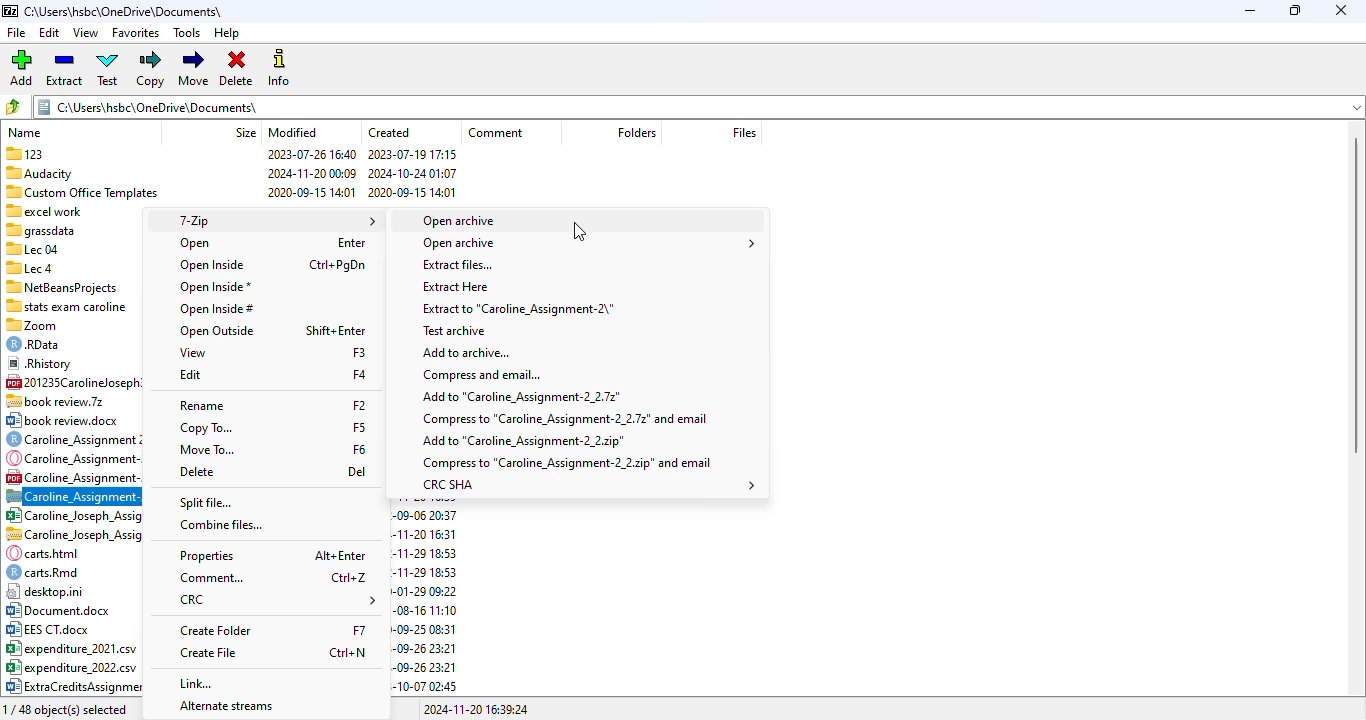 Image resolution: width=1366 pixels, height=720 pixels. I want to click on 7-Zip, so click(274, 221).